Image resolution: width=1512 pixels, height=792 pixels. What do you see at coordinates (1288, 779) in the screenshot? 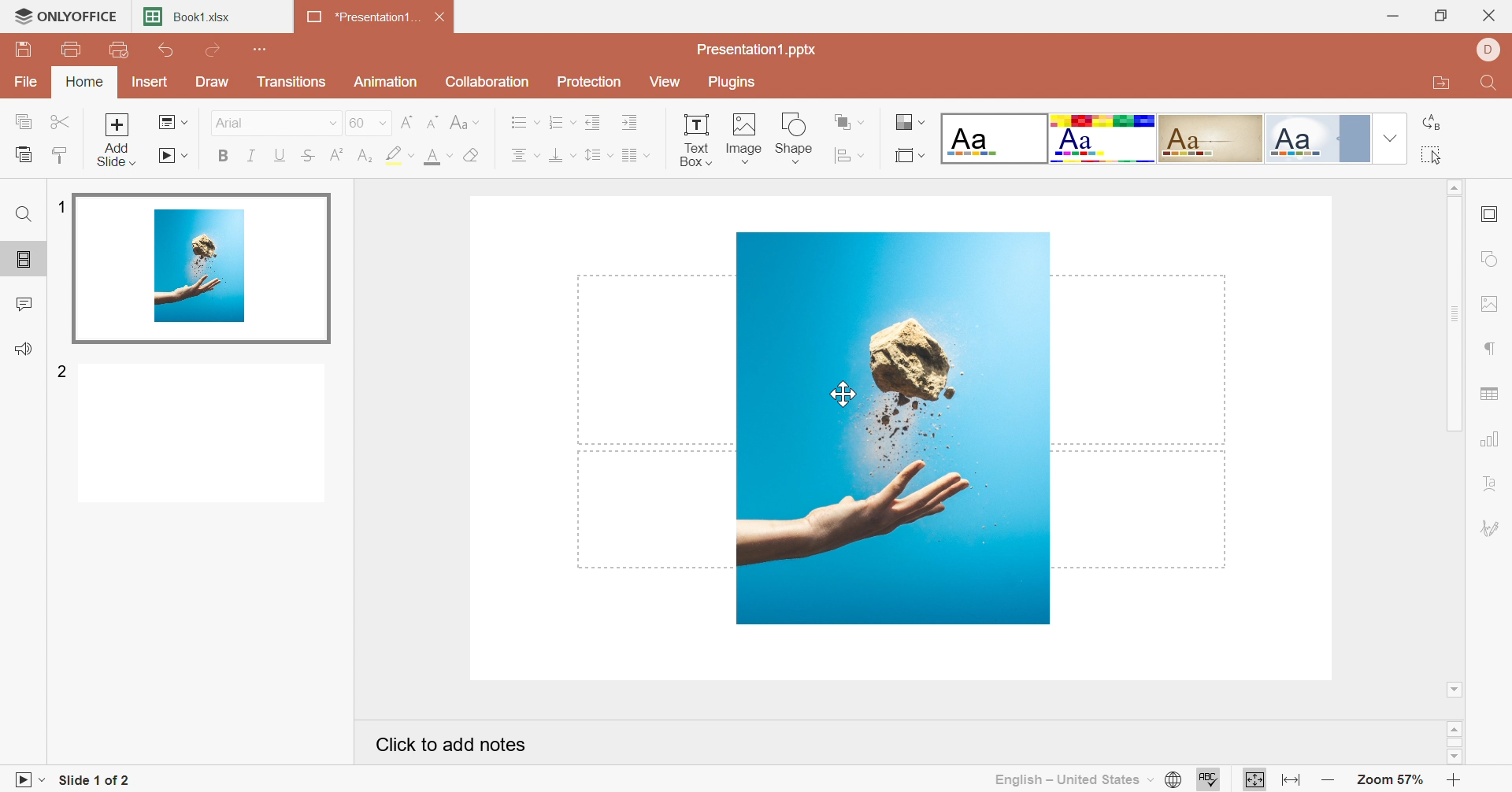
I see `Fit to width` at bounding box center [1288, 779].